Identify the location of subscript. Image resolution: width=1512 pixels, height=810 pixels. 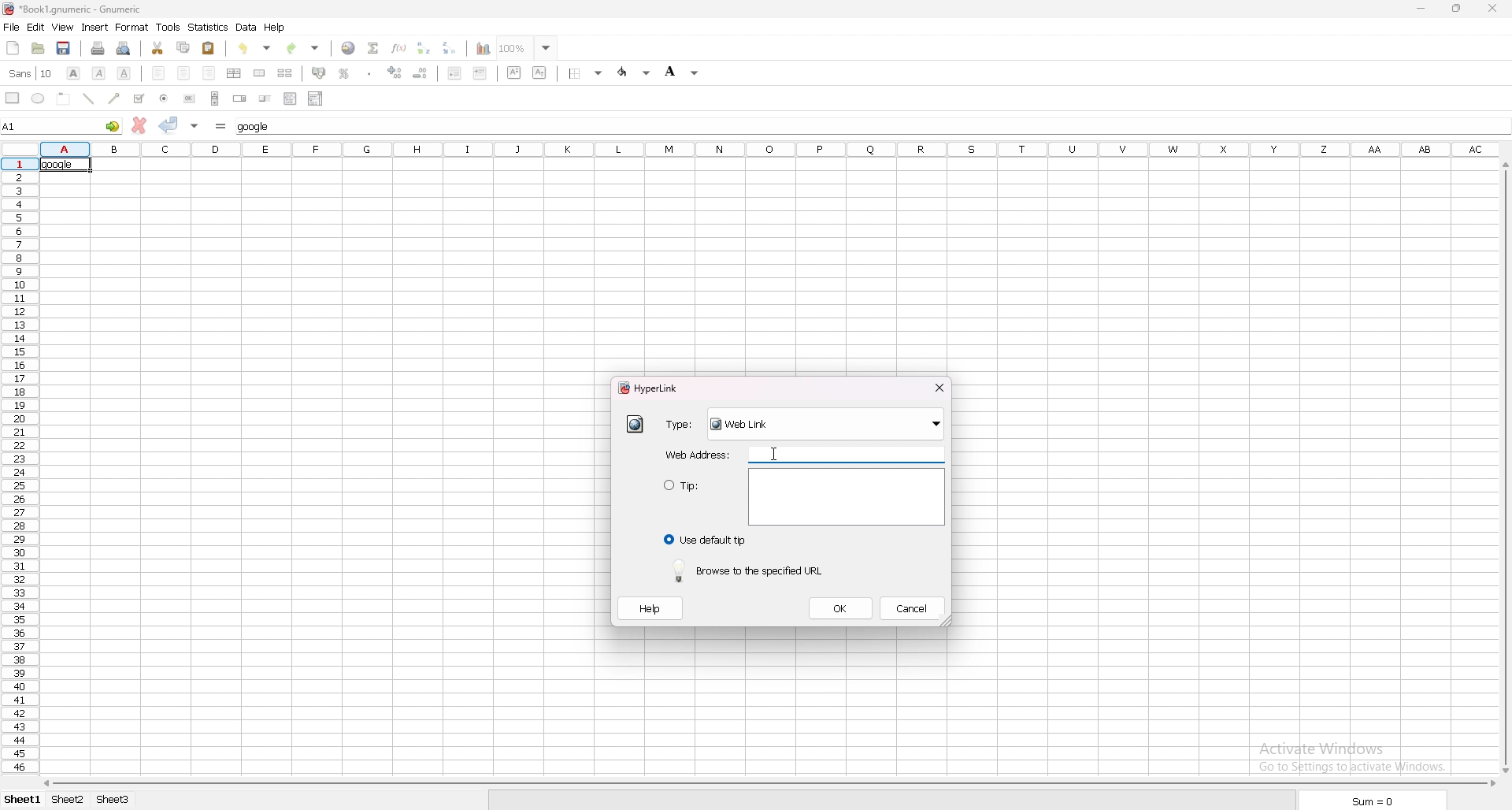
(541, 72).